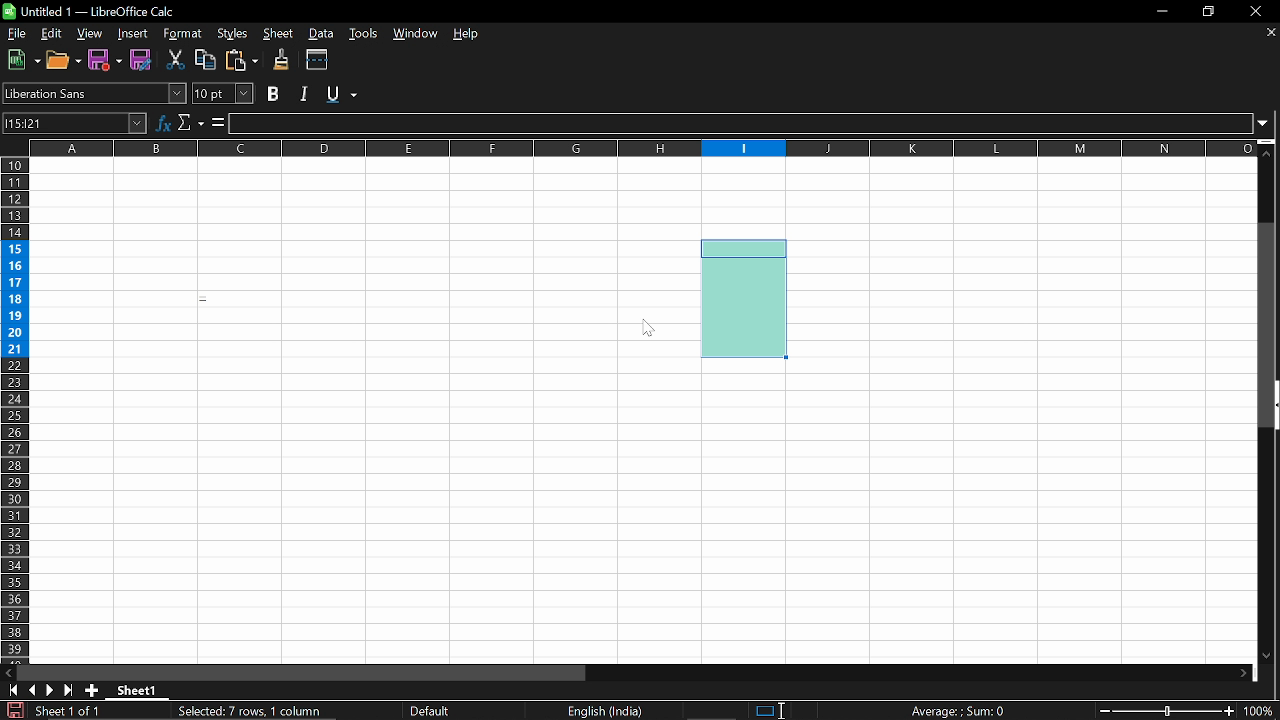  I want to click on Next page, so click(51, 691).